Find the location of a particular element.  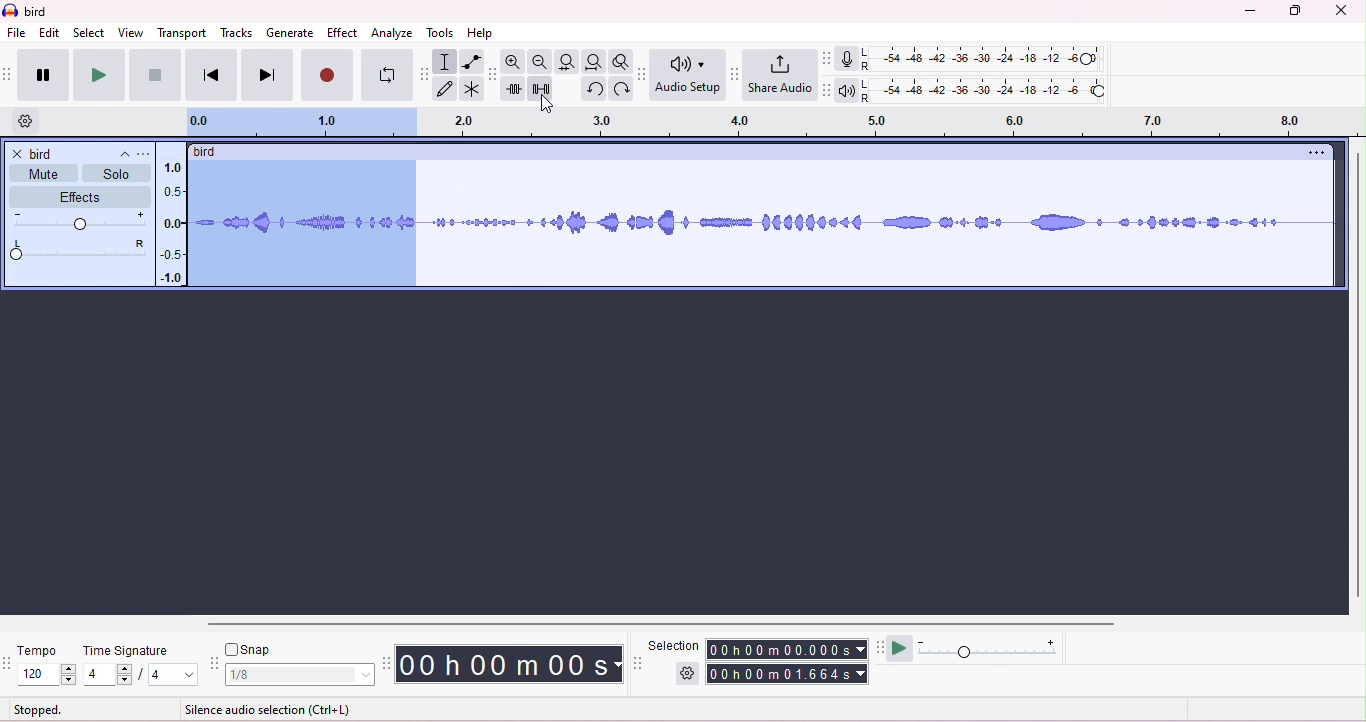

vertical scroll bar is located at coordinates (1356, 376).